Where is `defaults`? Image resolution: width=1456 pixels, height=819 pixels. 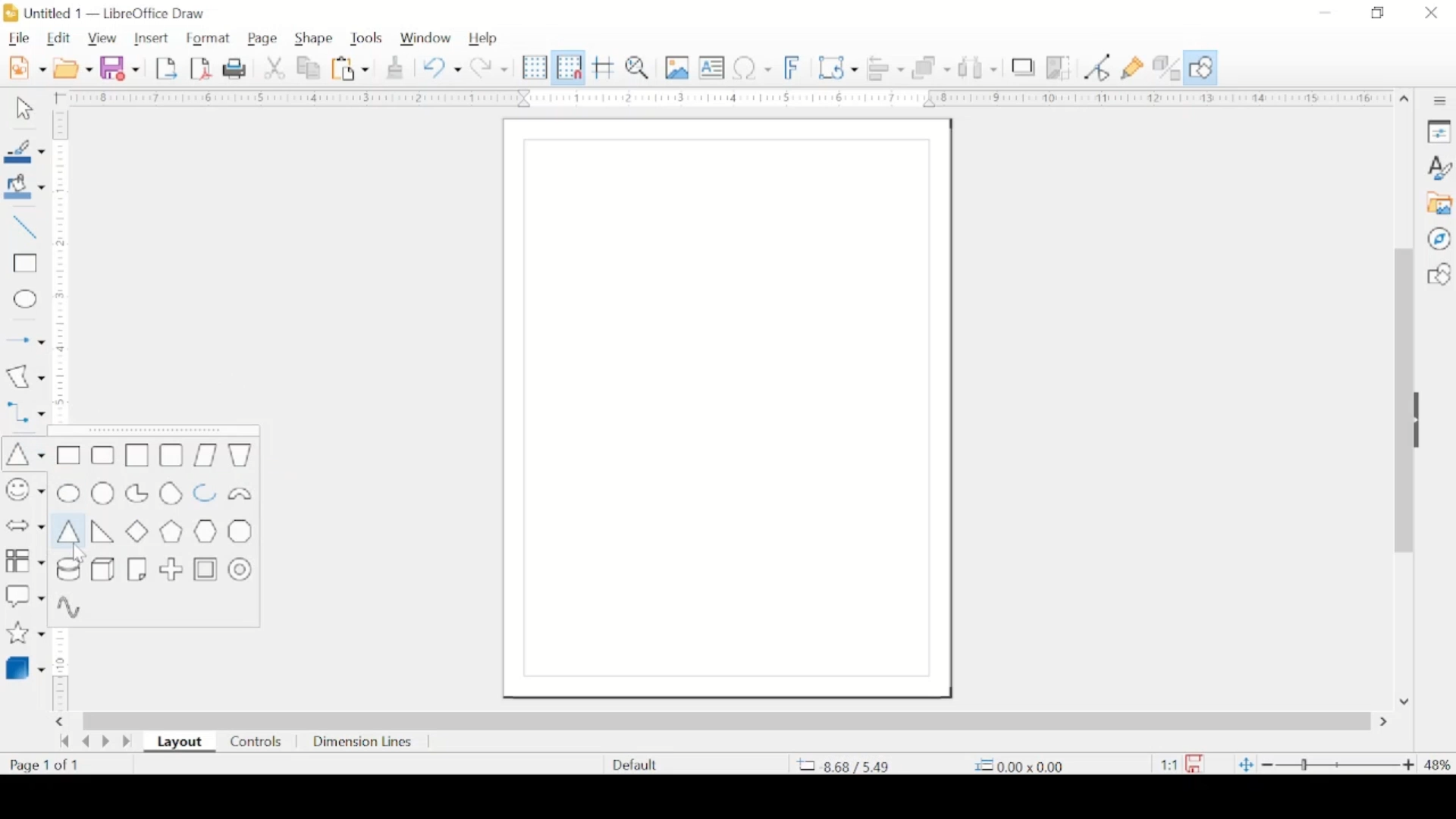
defaults is located at coordinates (633, 763).